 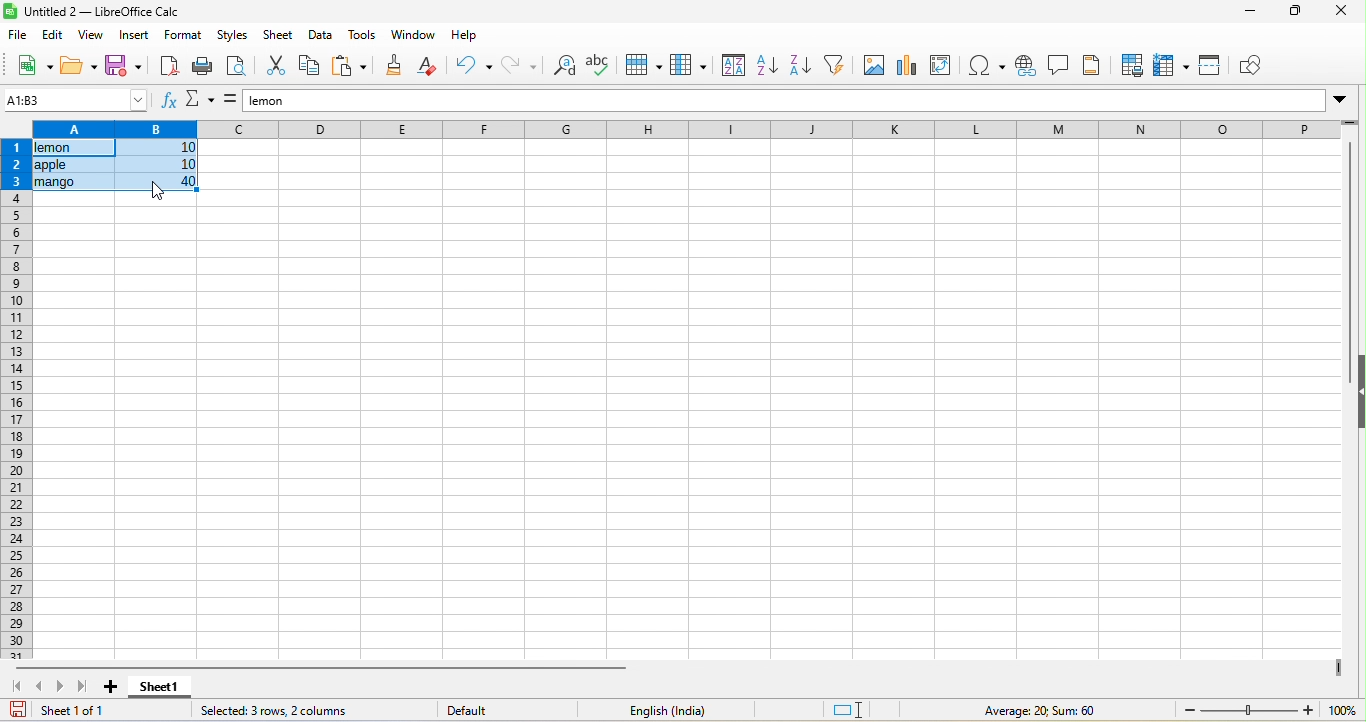 I want to click on sort ascending, so click(x=770, y=67).